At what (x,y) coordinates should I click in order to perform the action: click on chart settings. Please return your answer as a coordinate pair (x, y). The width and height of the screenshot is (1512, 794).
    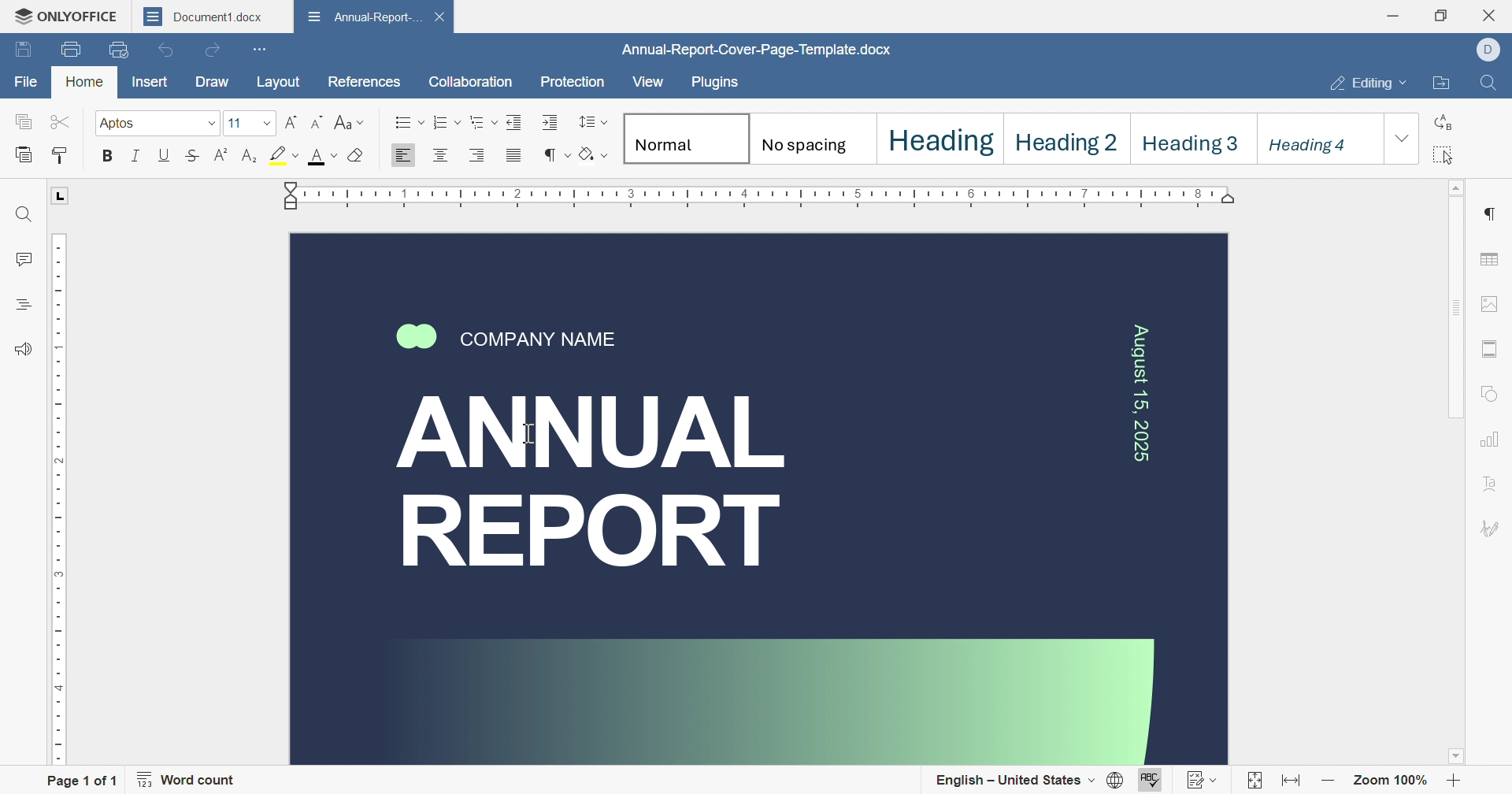
    Looking at the image, I should click on (1492, 440).